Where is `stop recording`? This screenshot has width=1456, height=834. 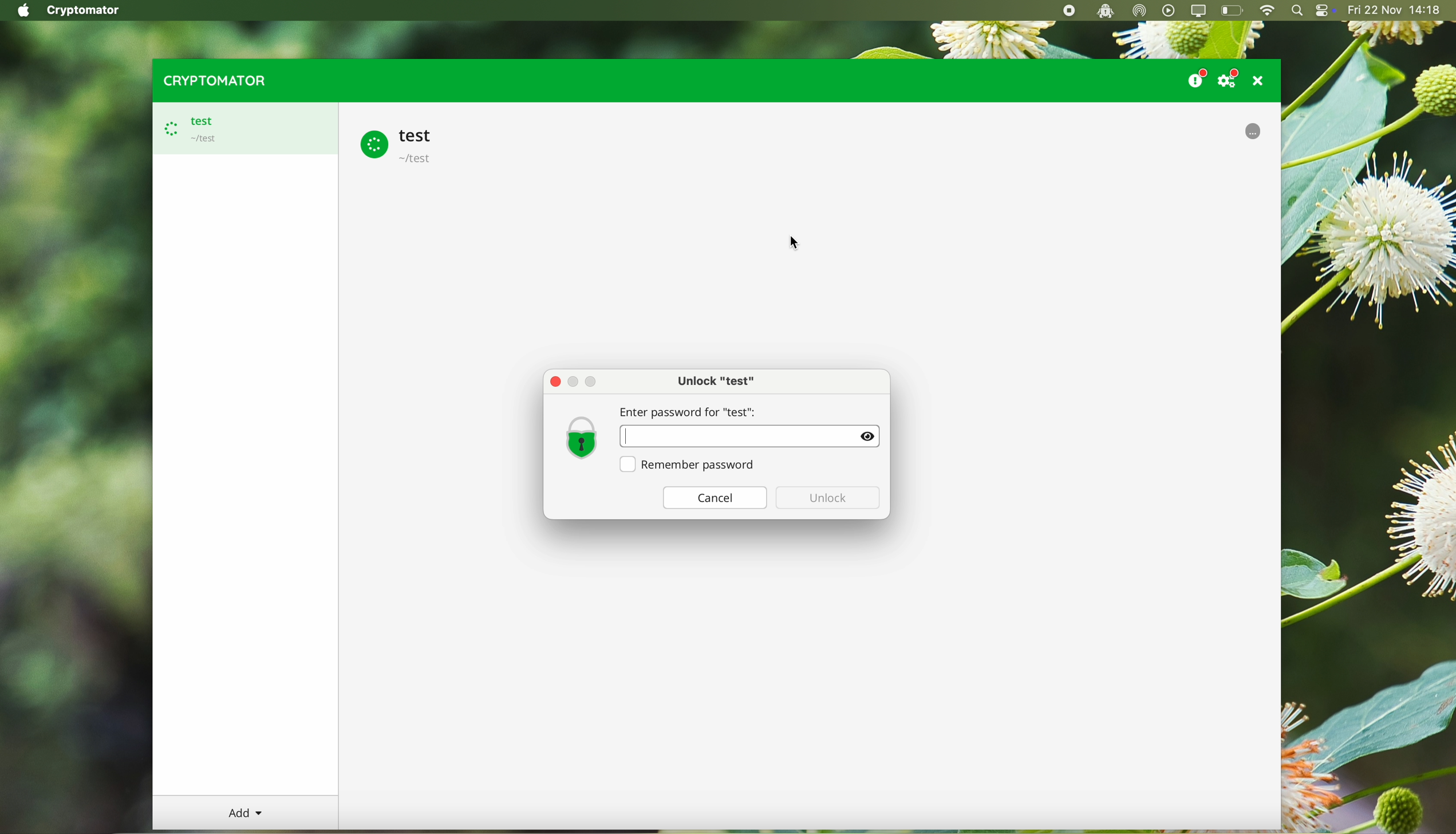
stop recording is located at coordinates (1067, 11).